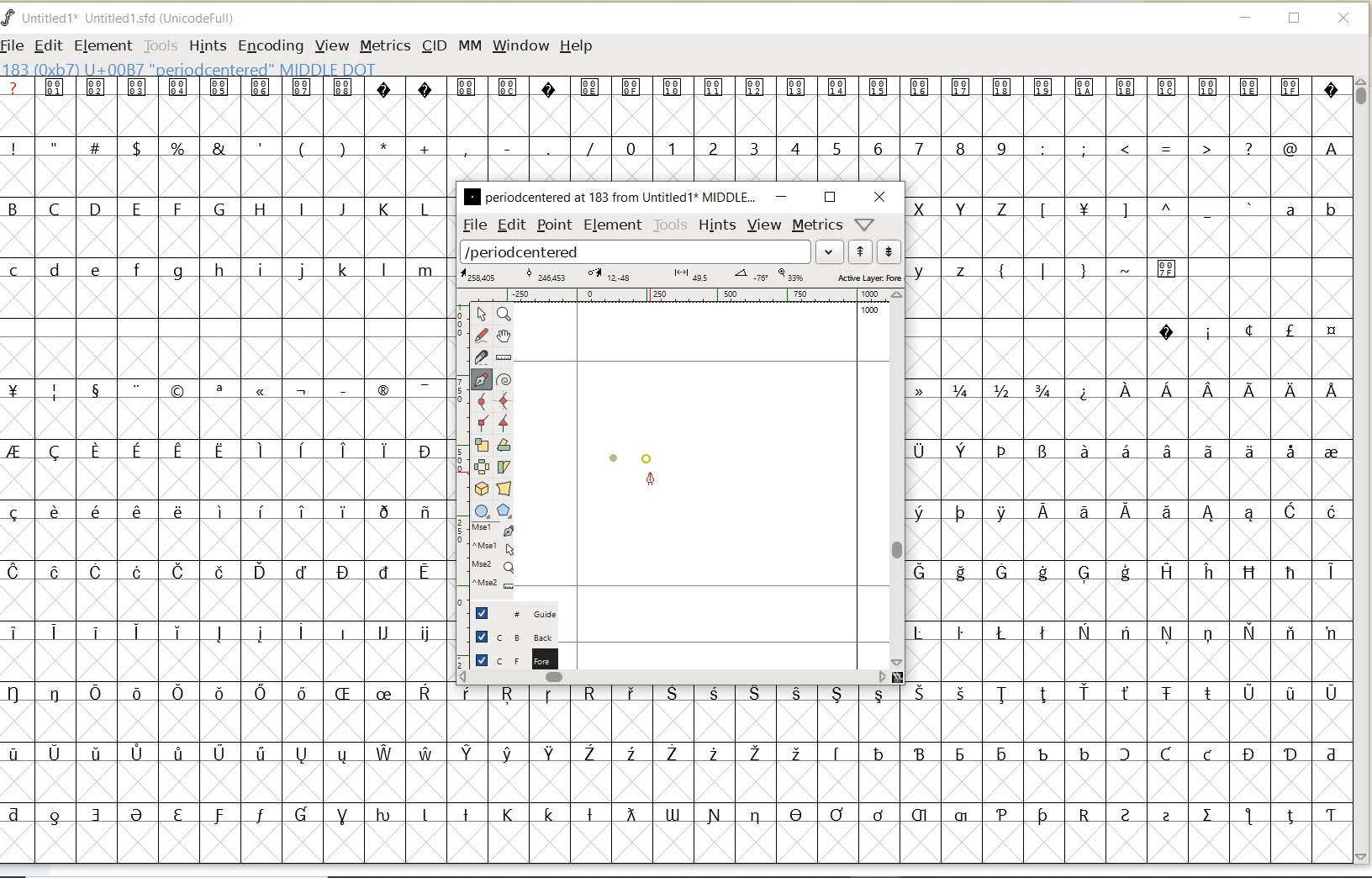 Image resolution: width=1372 pixels, height=878 pixels. Describe the element at coordinates (895, 761) in the screenshot. I see `special characters` at that location.